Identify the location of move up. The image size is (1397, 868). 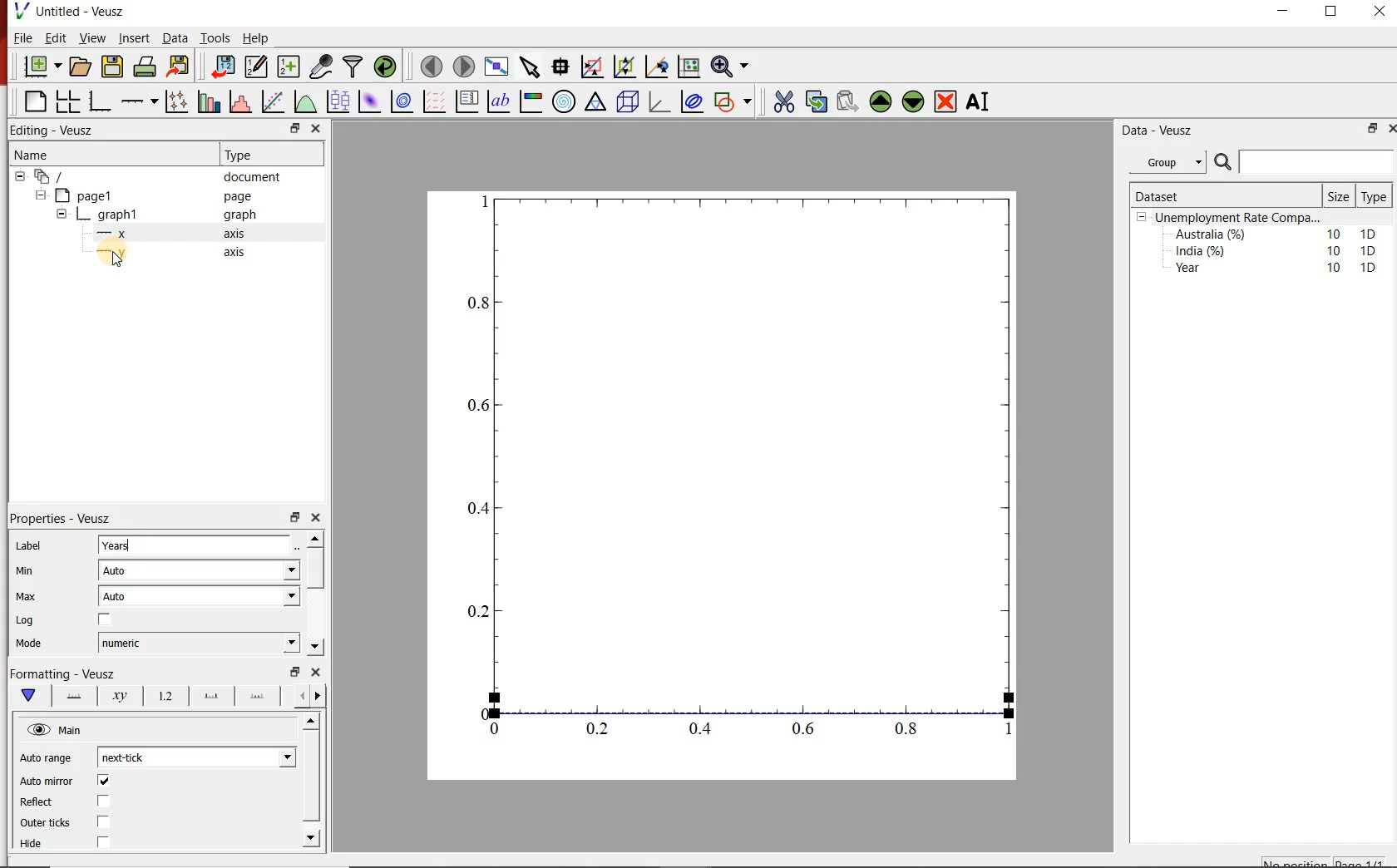
(315, 538).